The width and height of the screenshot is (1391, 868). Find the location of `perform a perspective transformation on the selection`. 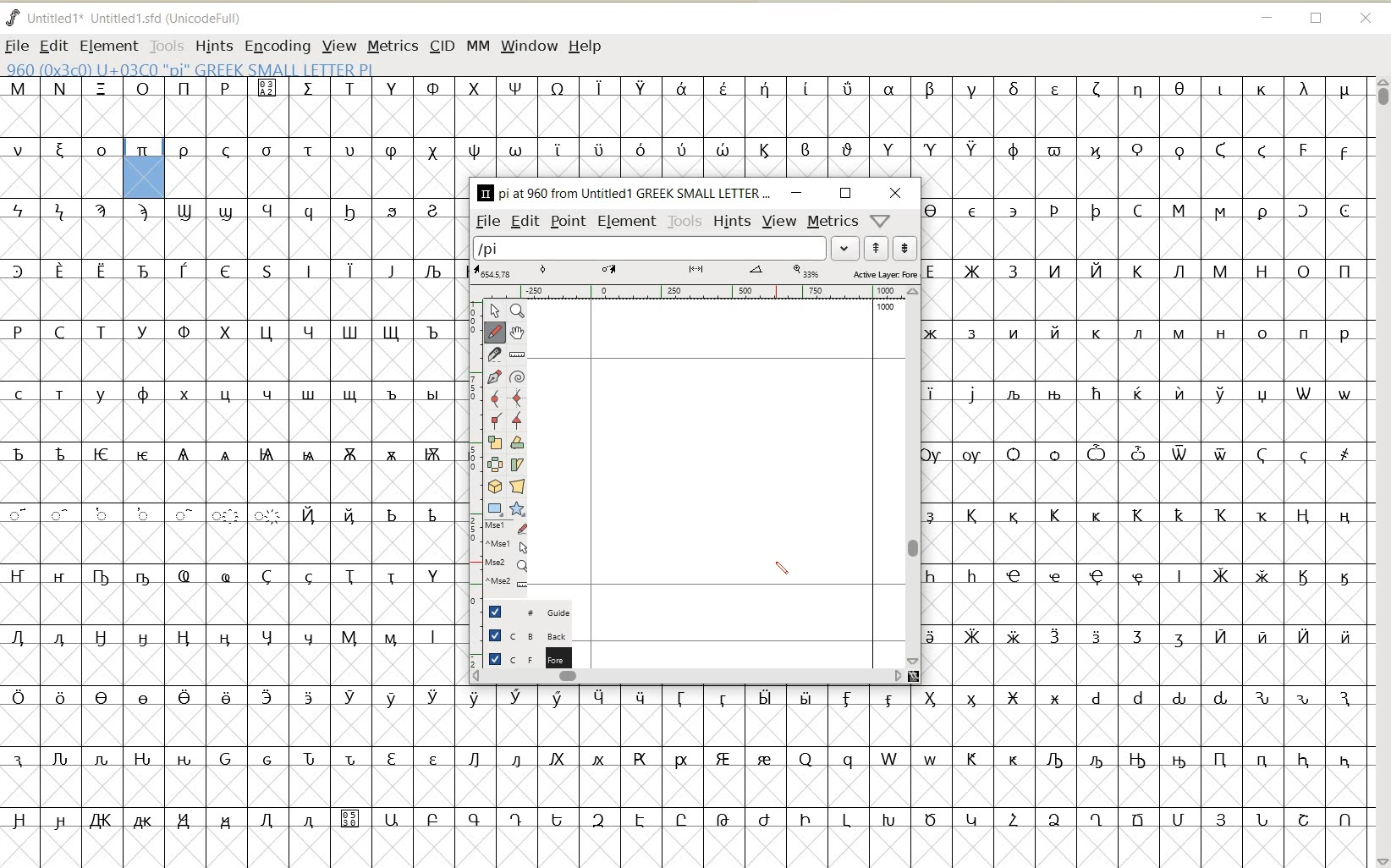

perform a perspective transformation on the selection is located at coordinates (519, 486).